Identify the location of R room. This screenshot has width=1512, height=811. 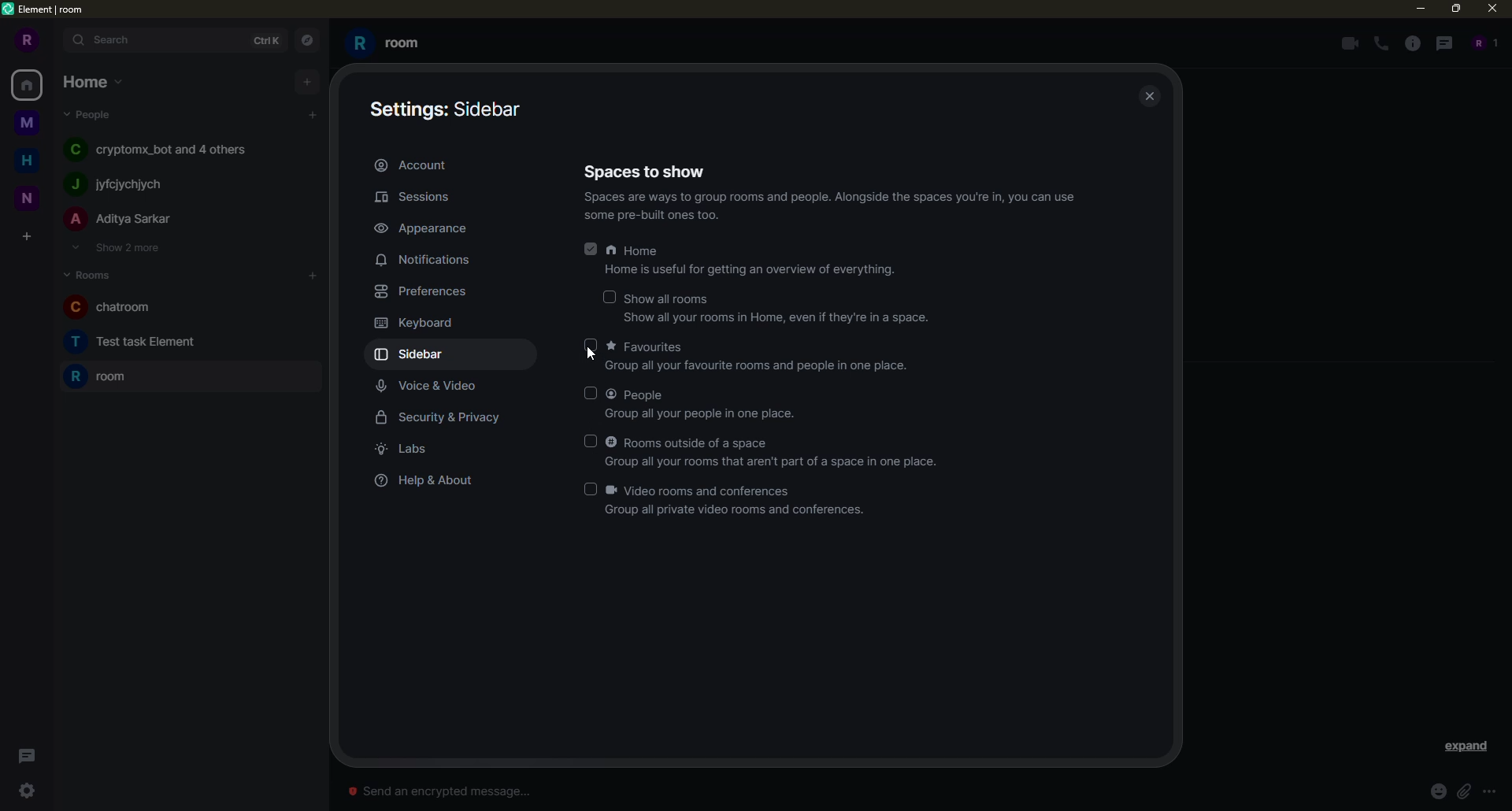
(399, 41).